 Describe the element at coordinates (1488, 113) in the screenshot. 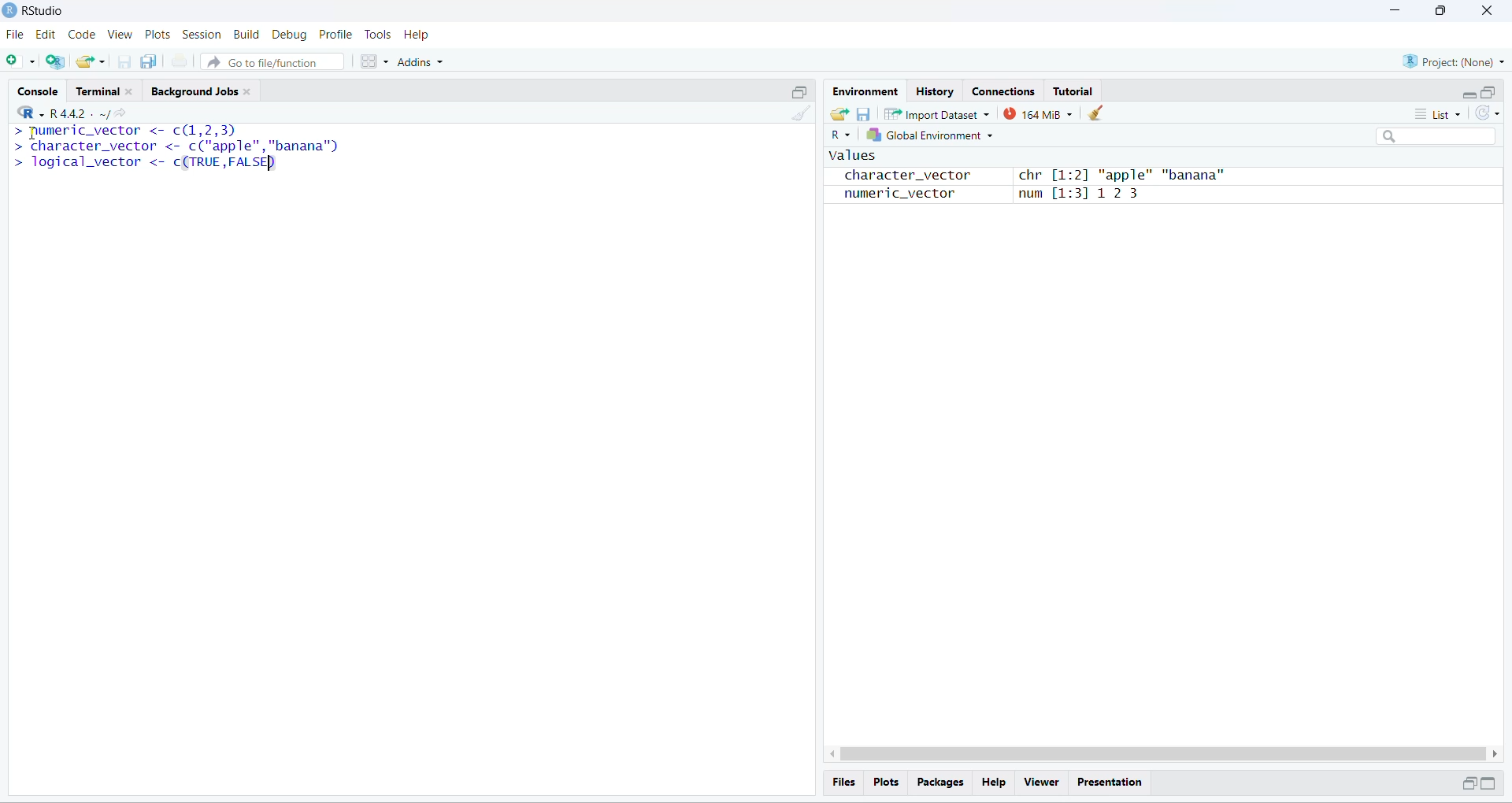

I see `refresh` at that location.